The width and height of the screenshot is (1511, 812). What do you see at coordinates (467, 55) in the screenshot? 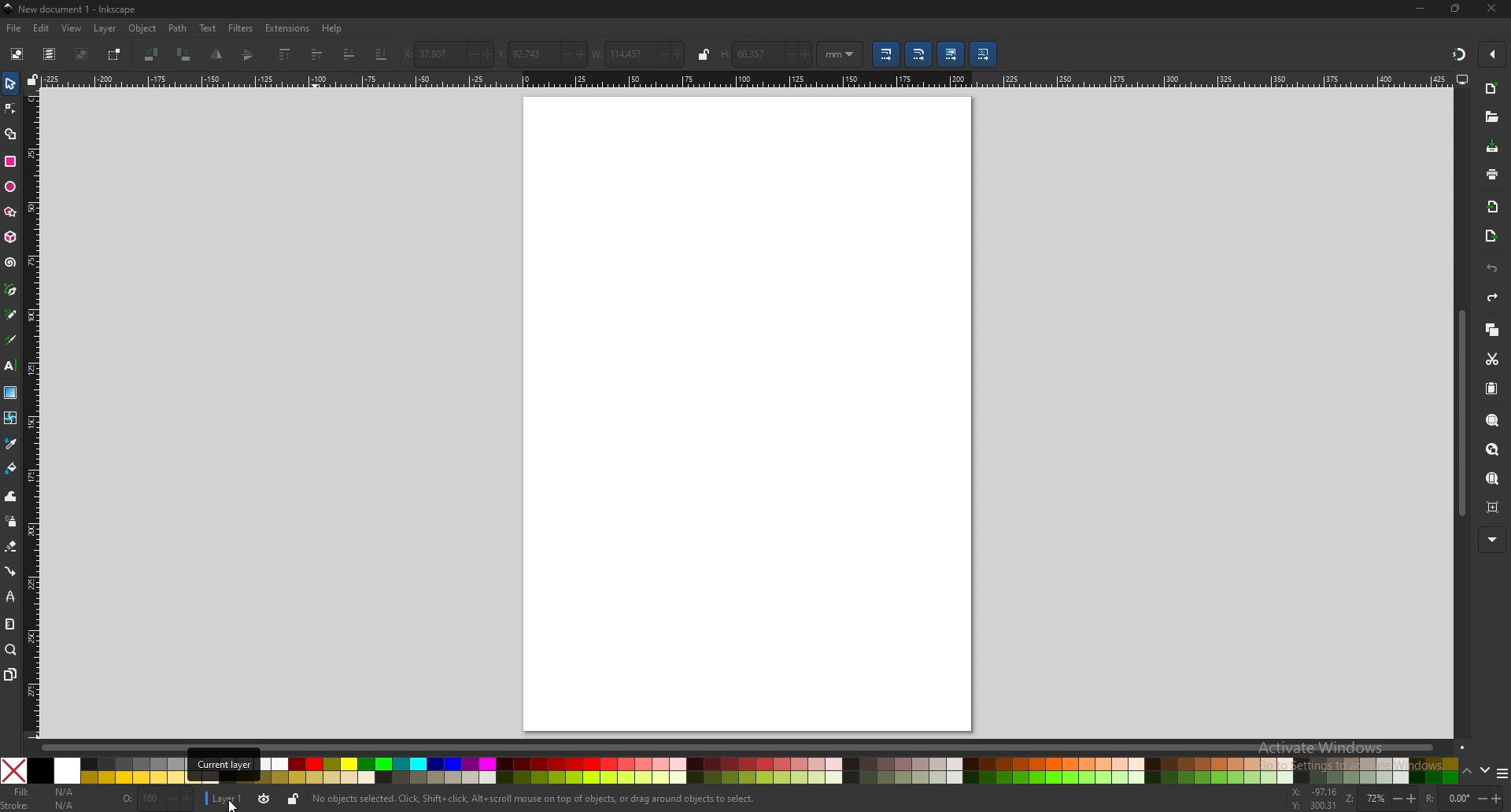
I see `decrease` at bounding box center [467, 55].